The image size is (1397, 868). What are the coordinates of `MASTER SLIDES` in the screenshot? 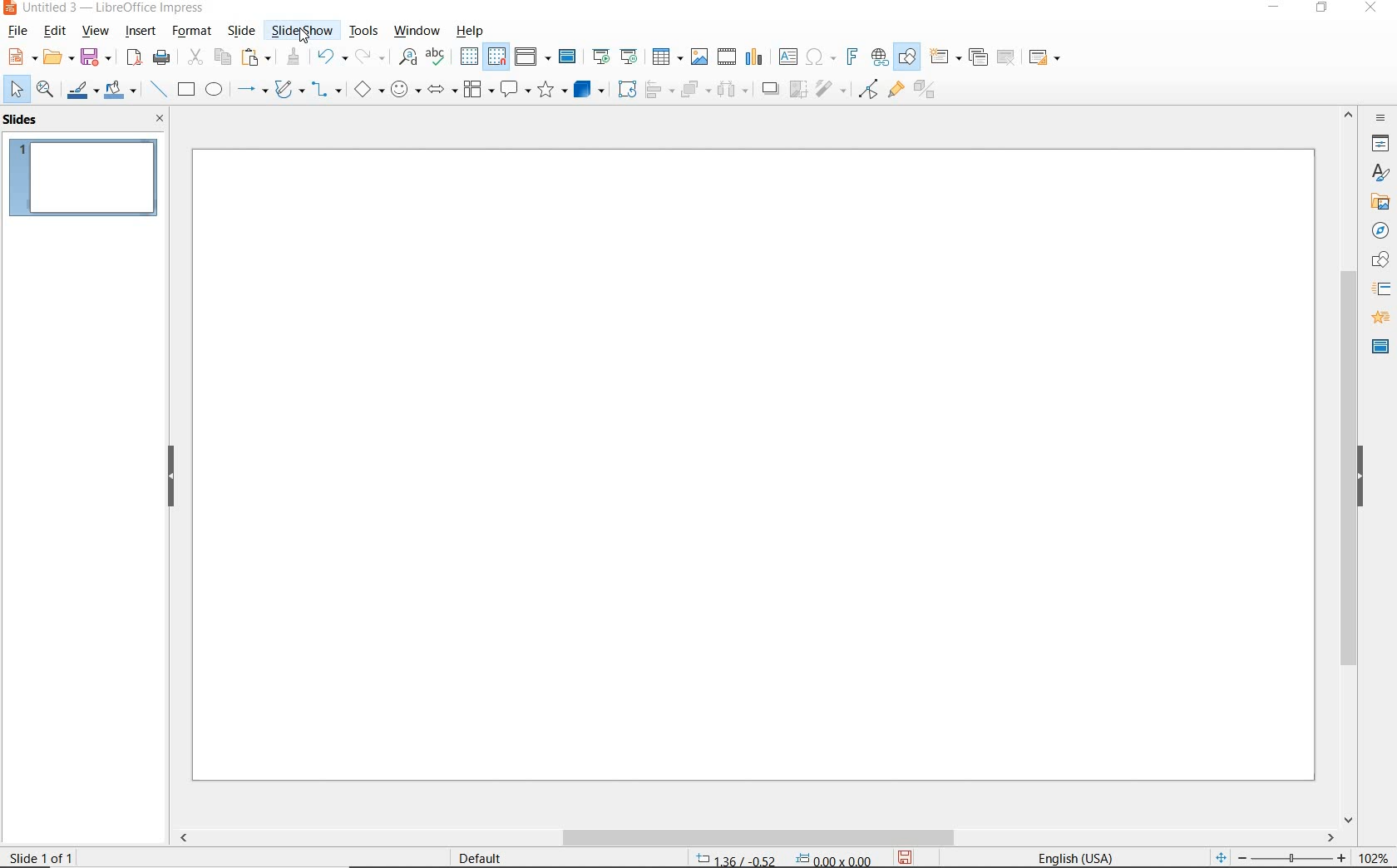 It's located at (1380, 348).